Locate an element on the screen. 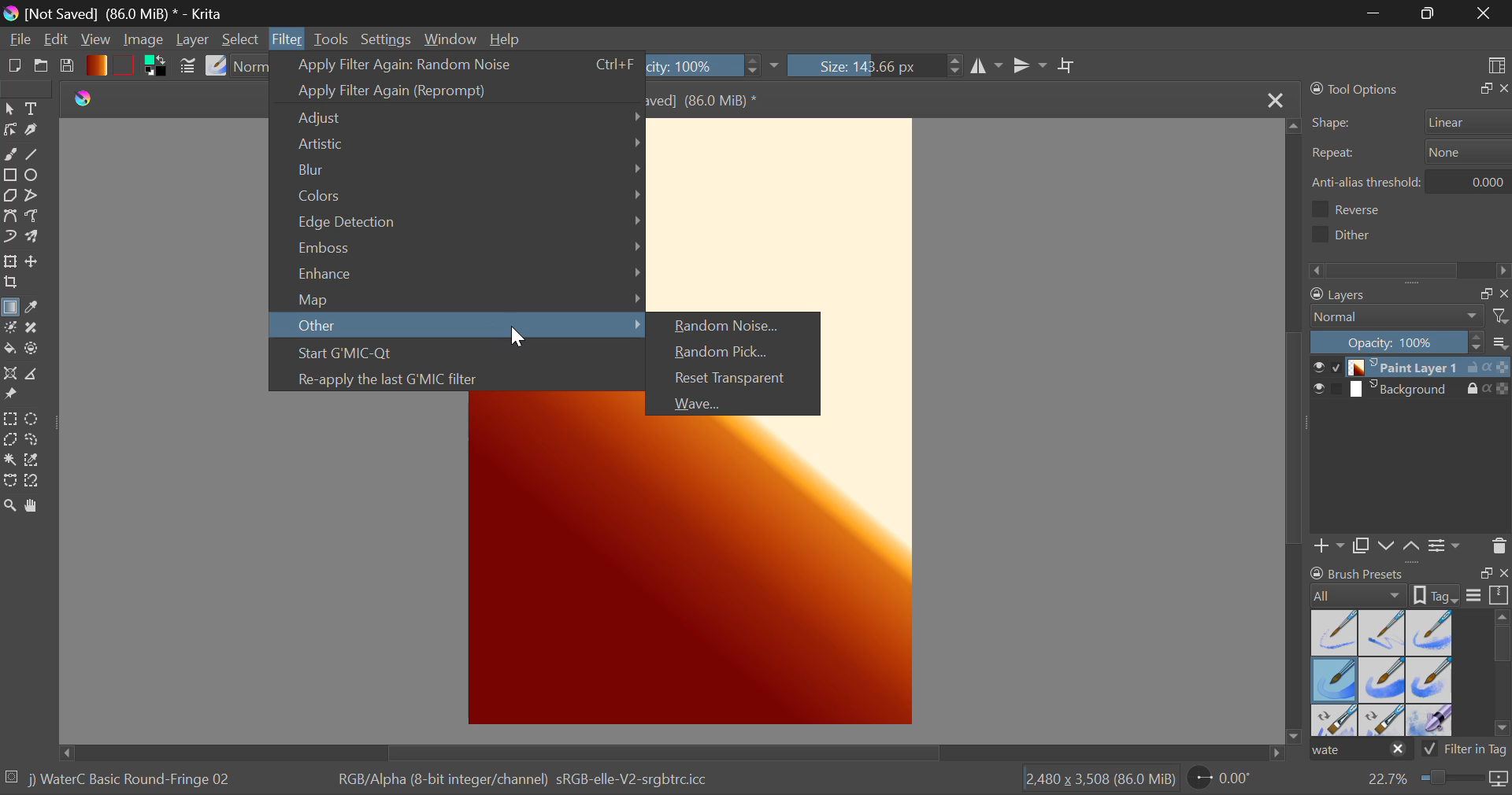 The width and height of the screenshot is (1512, 795). Window is located at coordinates (449, 38).